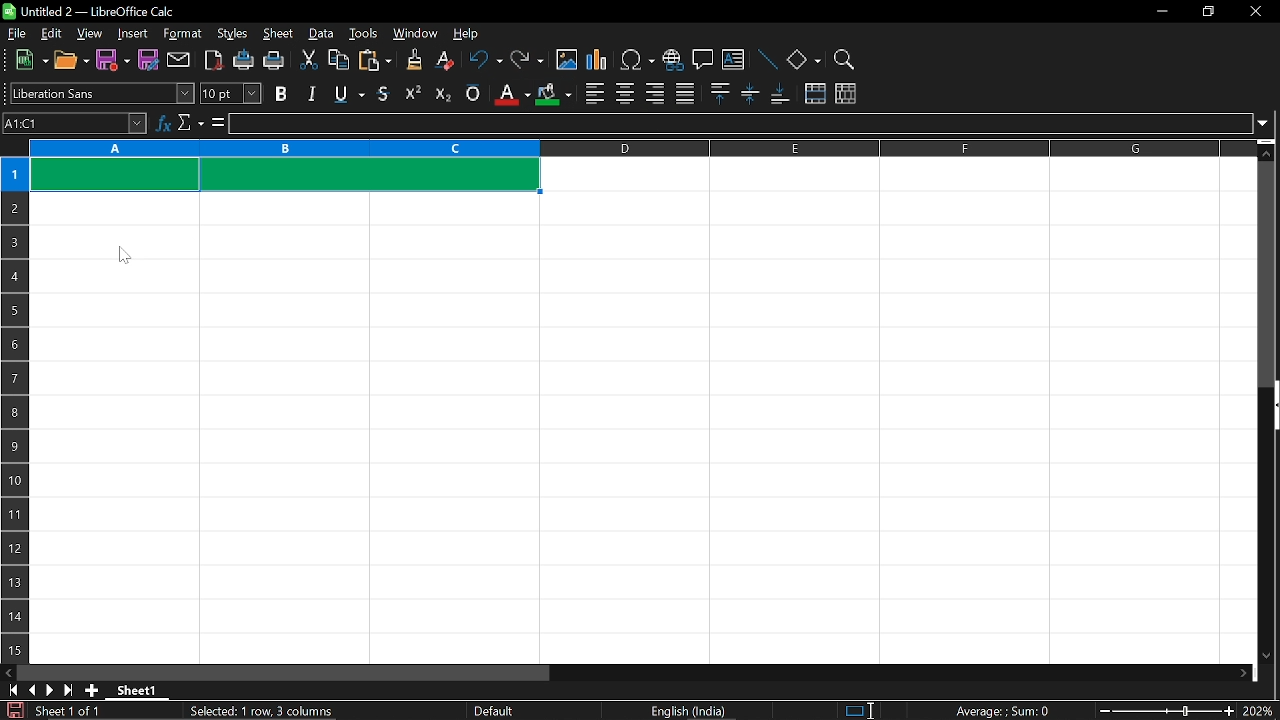 Image resolution: width=1280 pixels, height=720 pixels. Describe the element at coordinates (473, 94) in the screenshot. I see `overline` at that location.